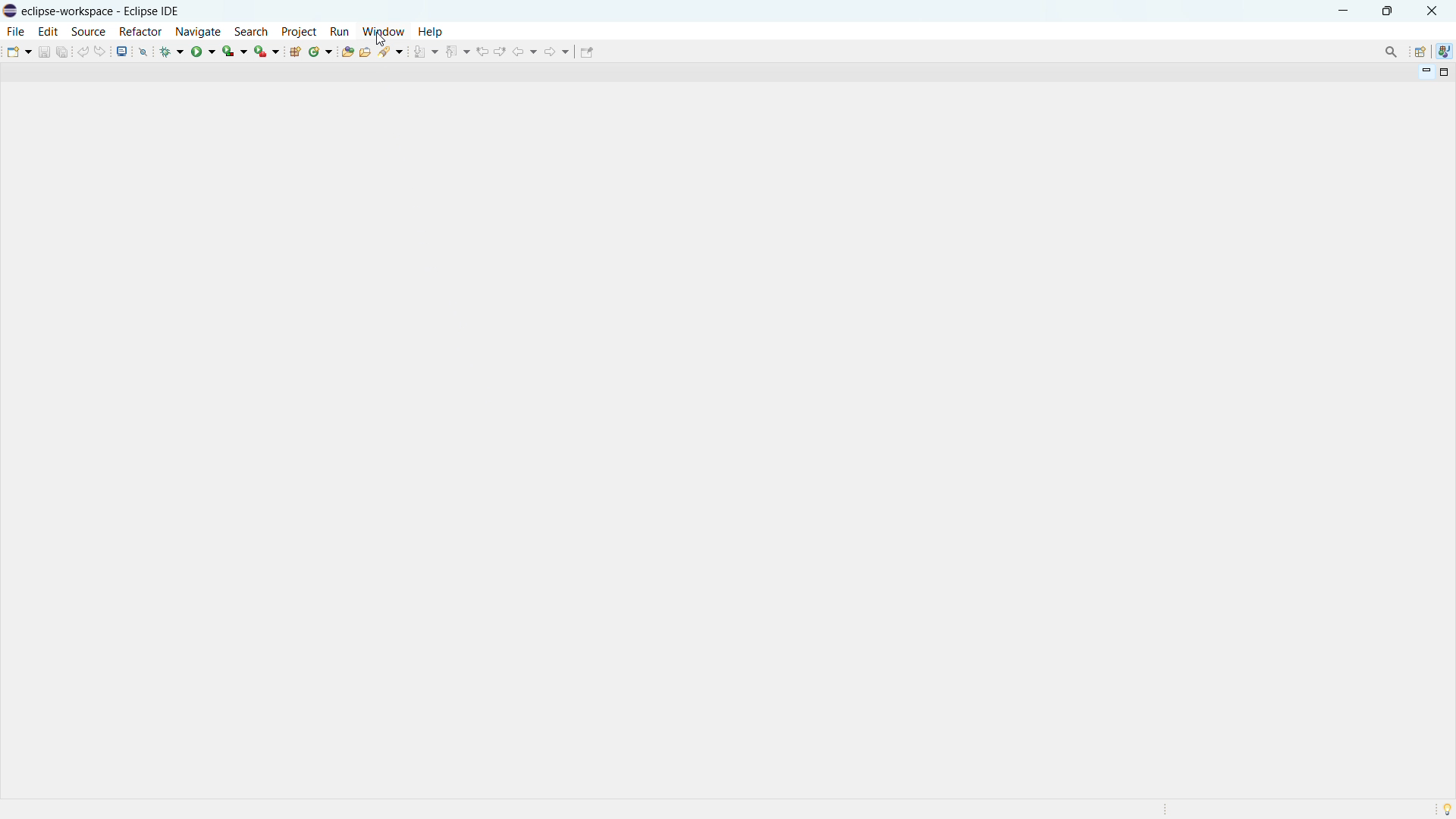 The height and width of the screenshot is (819, 1456). I want to click on edit, so click(49, 31).